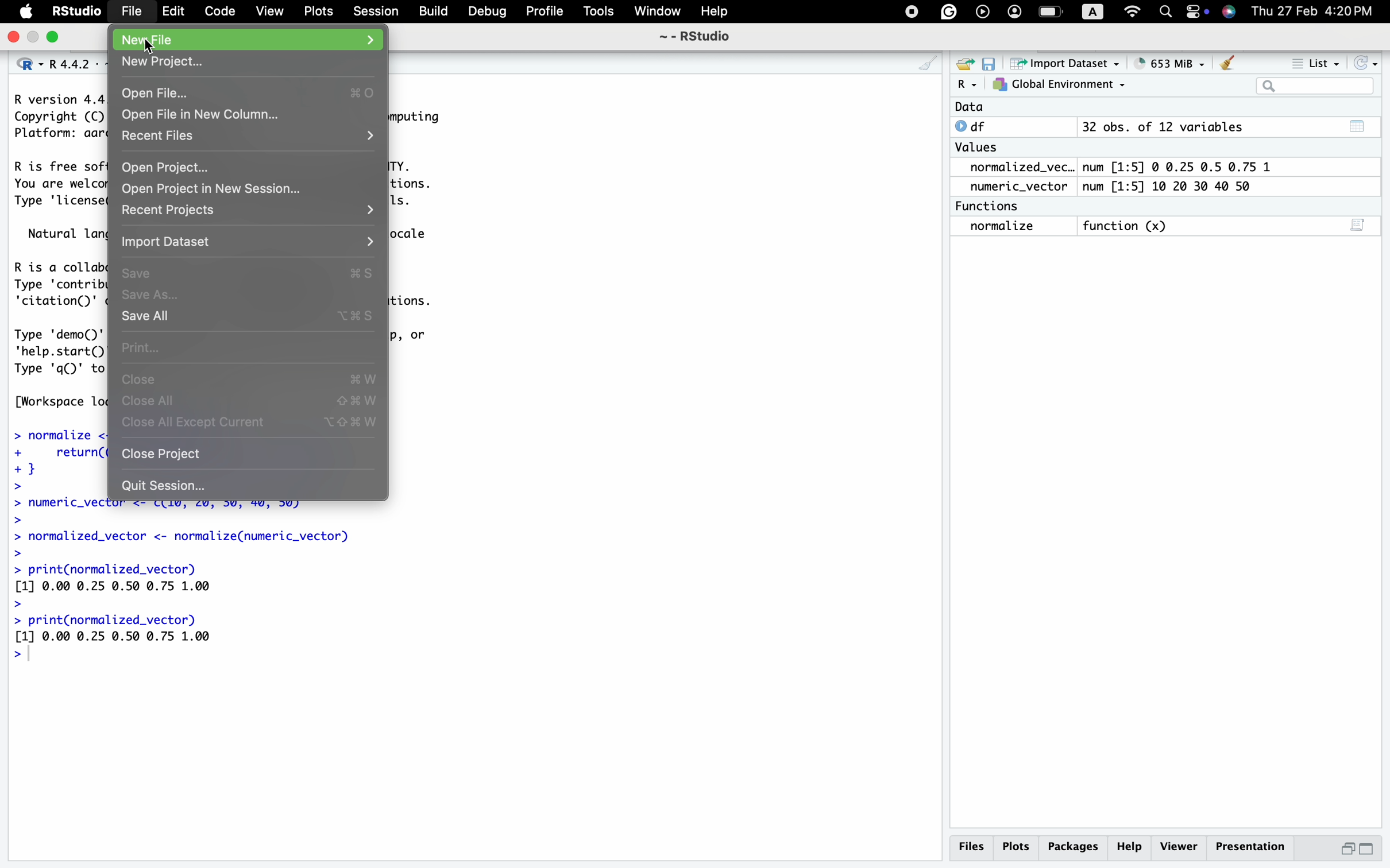 The image size is (1390, 868). I want to click on Save All, so click(144, 317).